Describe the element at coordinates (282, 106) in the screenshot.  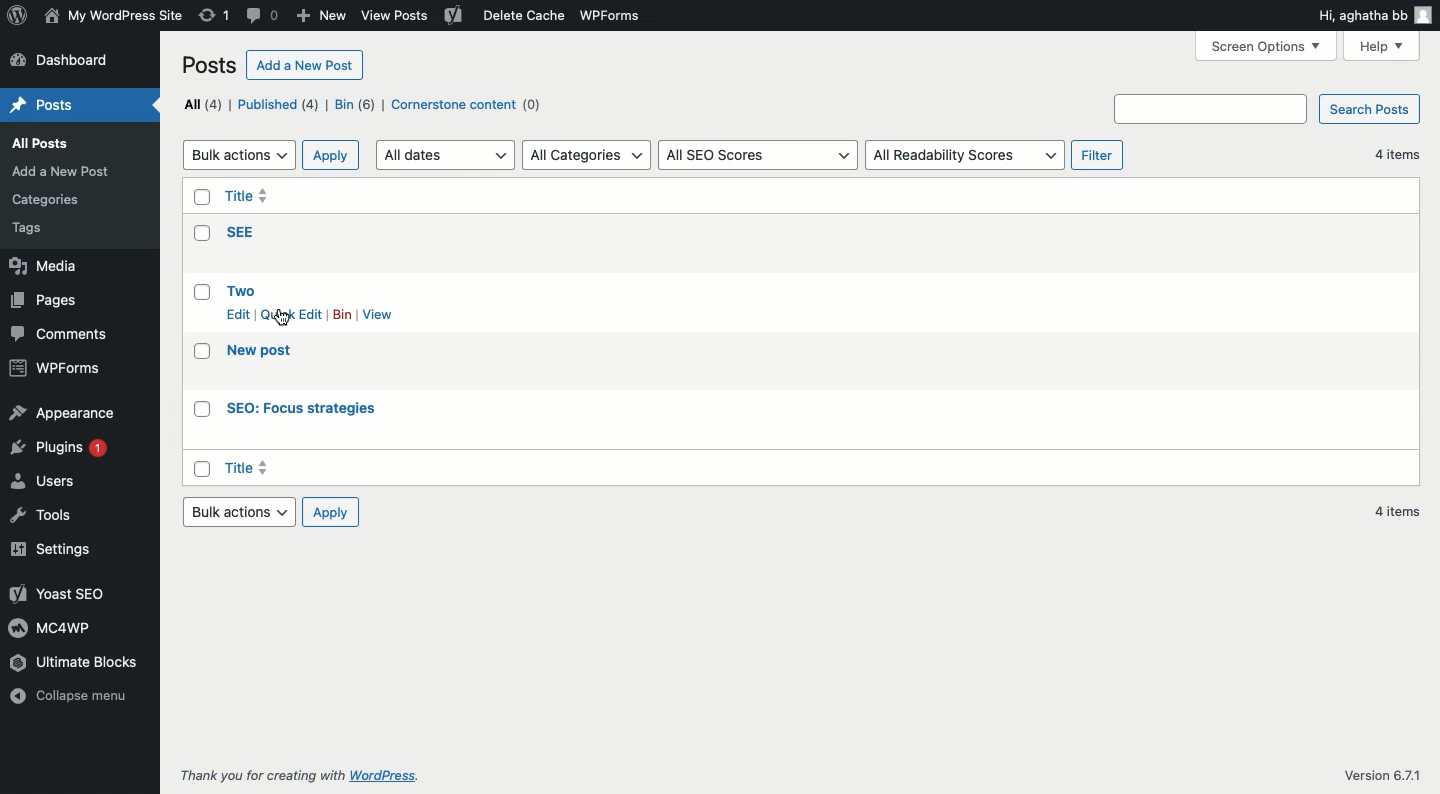
I see `Published` at that location.